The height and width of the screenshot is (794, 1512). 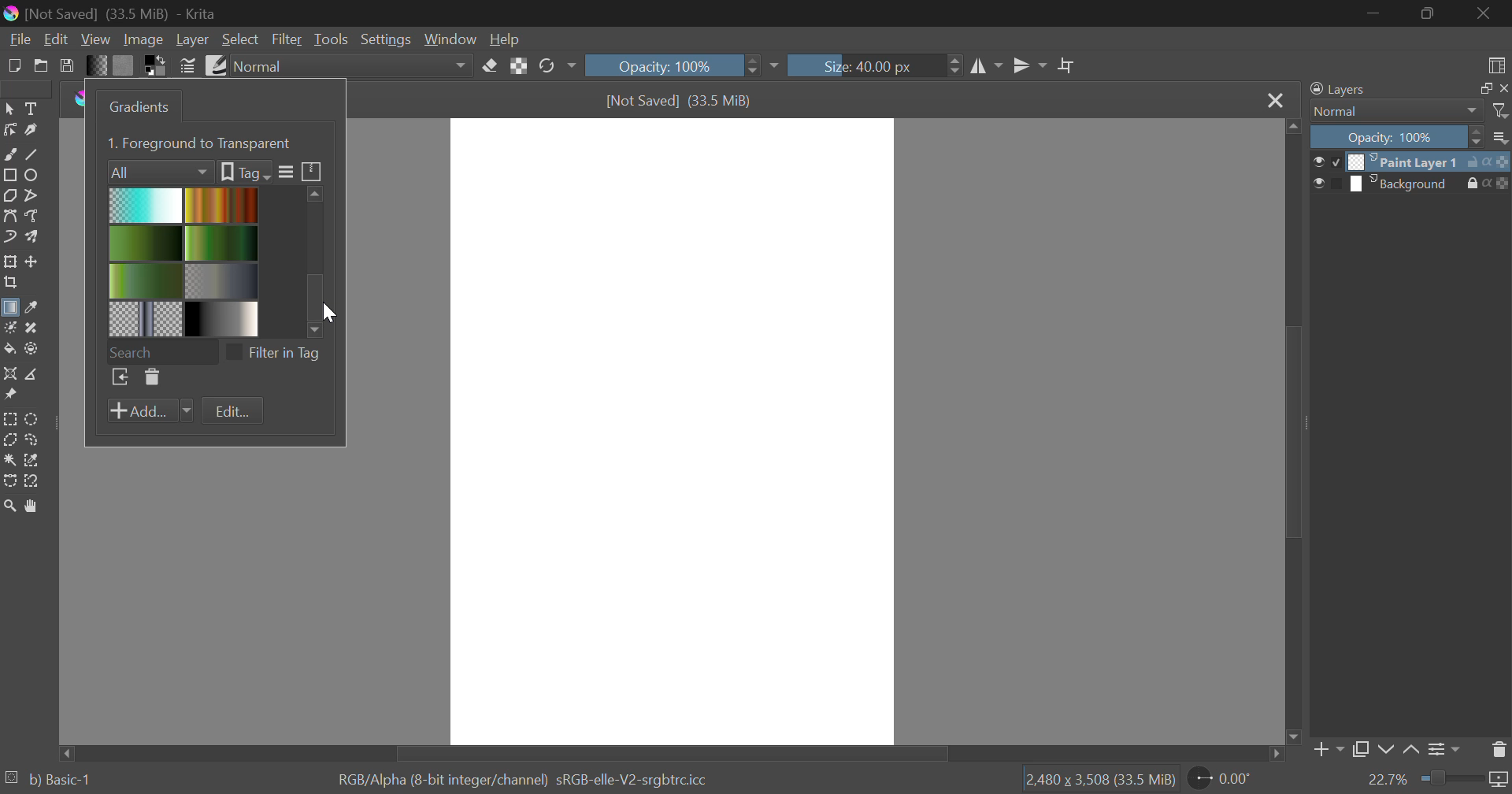 What do you see at coordinates (1476, 161) in the screenshot?
I see `unlock` at bounding box center [1476, 161].